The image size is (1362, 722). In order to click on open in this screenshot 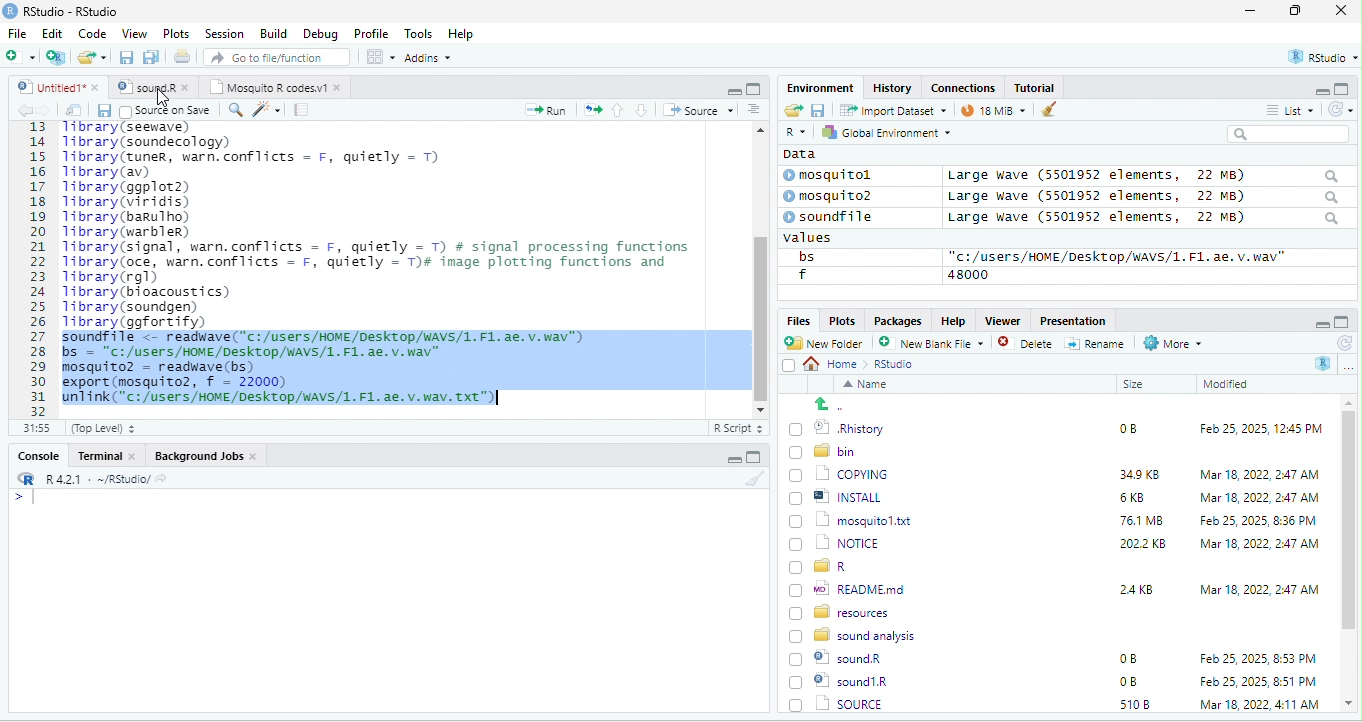, I will do `click(792, 111)`.